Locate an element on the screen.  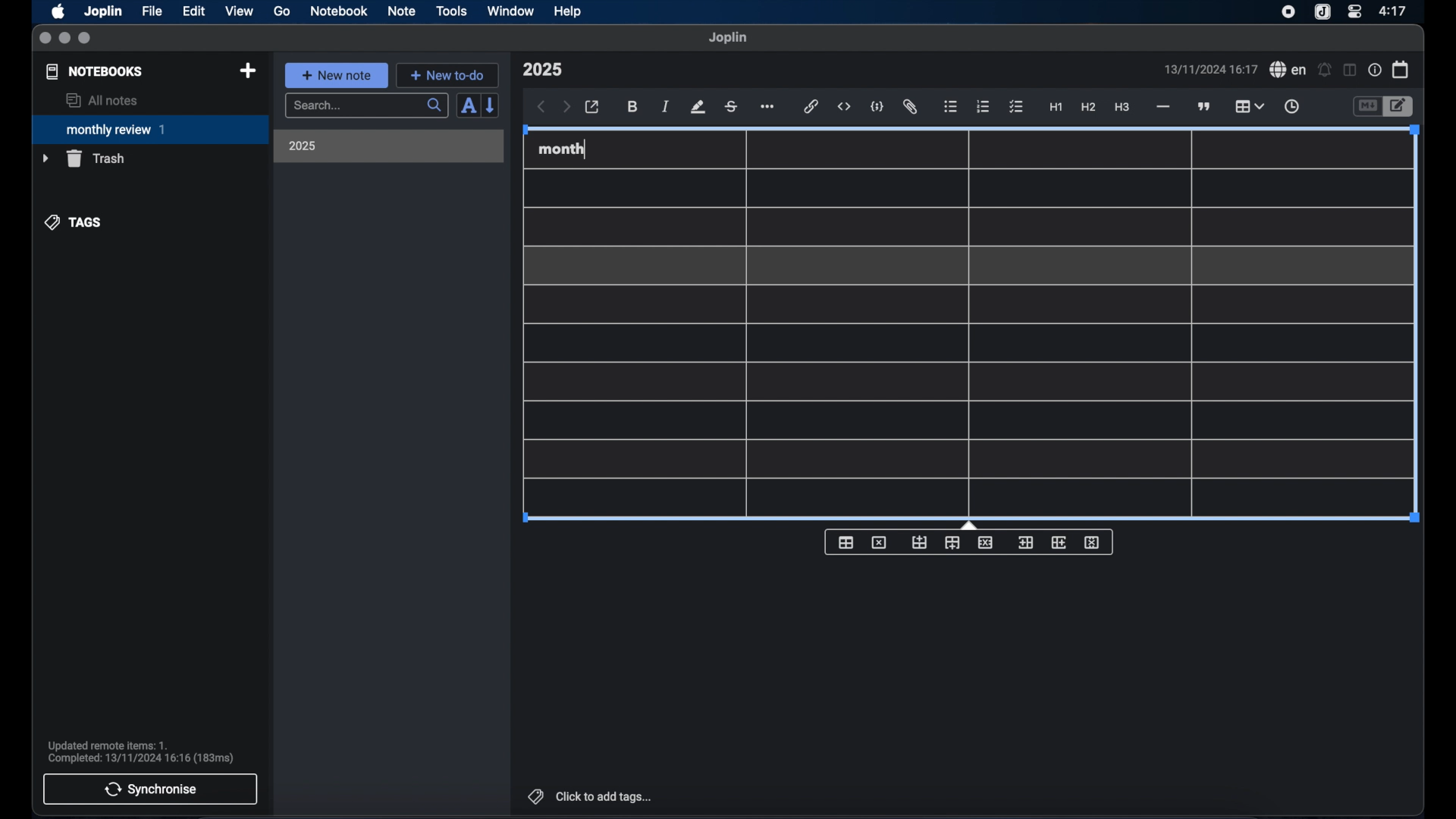
control center is located at coordinates (1354, 11).